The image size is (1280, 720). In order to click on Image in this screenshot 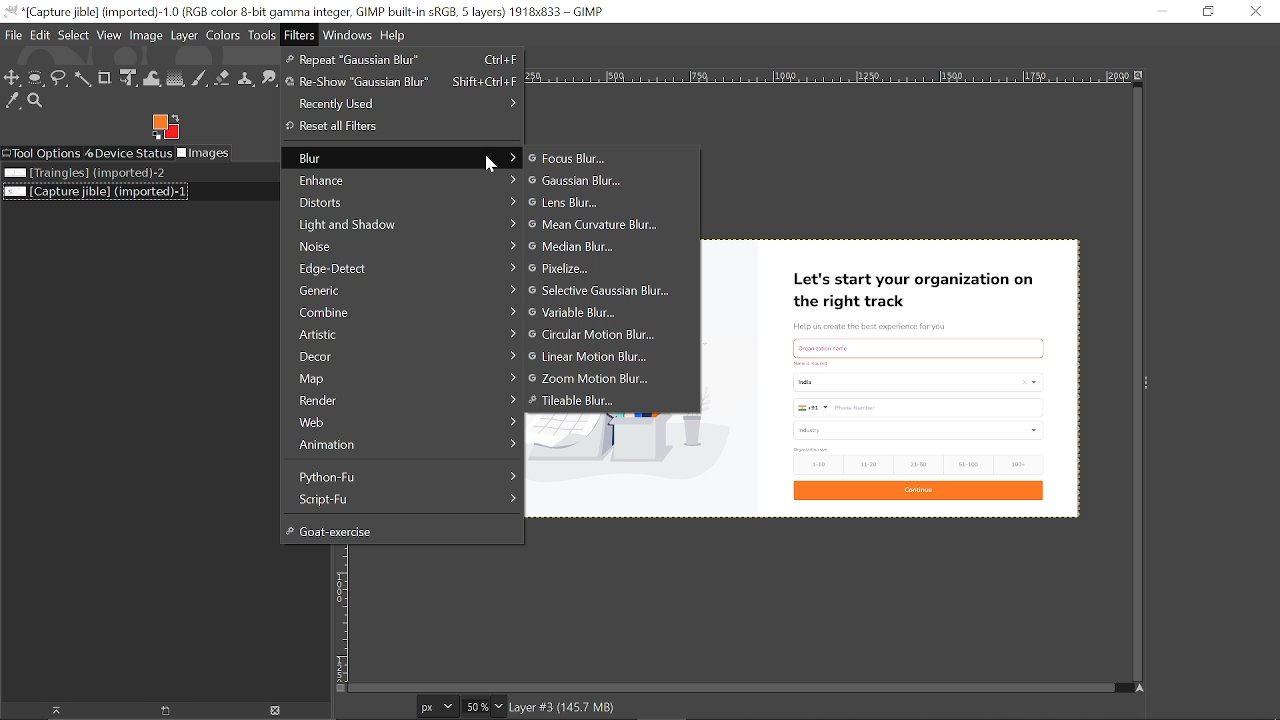, I will do `click(146, 37)`.